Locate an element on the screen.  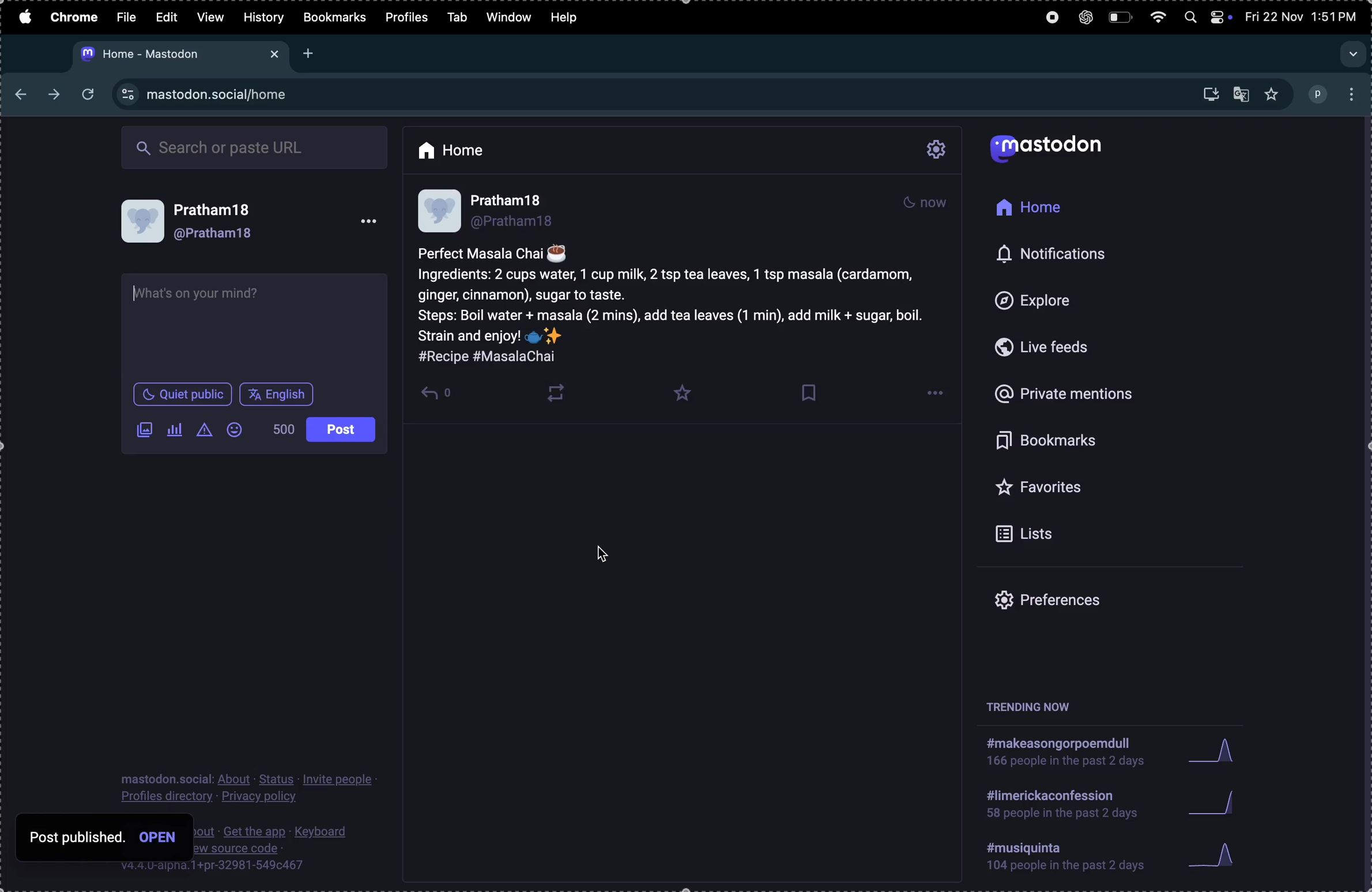
post of recipe is located at coordinates (691, 300).